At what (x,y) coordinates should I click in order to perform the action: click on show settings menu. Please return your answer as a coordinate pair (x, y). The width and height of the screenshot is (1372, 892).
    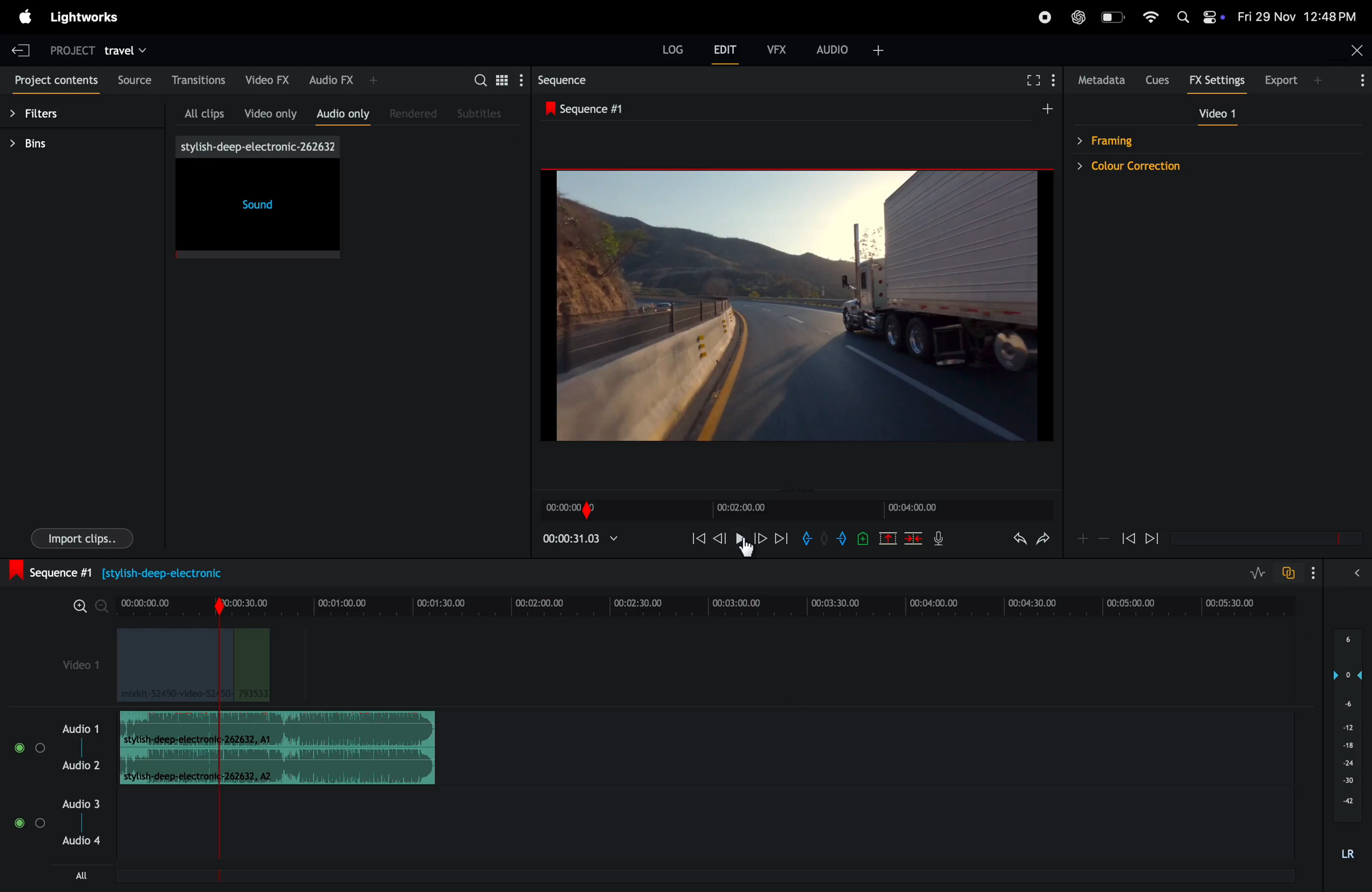
    Looking at the image, I should click on (520, 80).